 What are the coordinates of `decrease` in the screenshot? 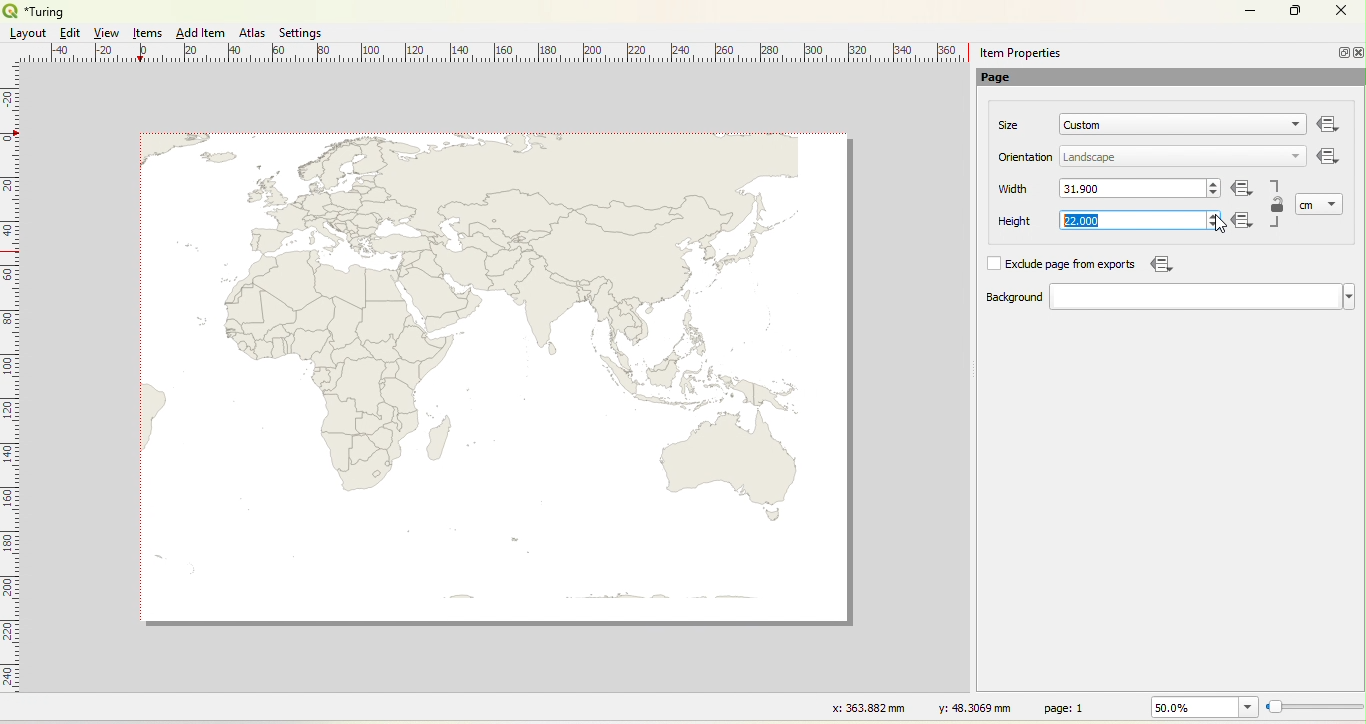 It's located at (1213, 194).